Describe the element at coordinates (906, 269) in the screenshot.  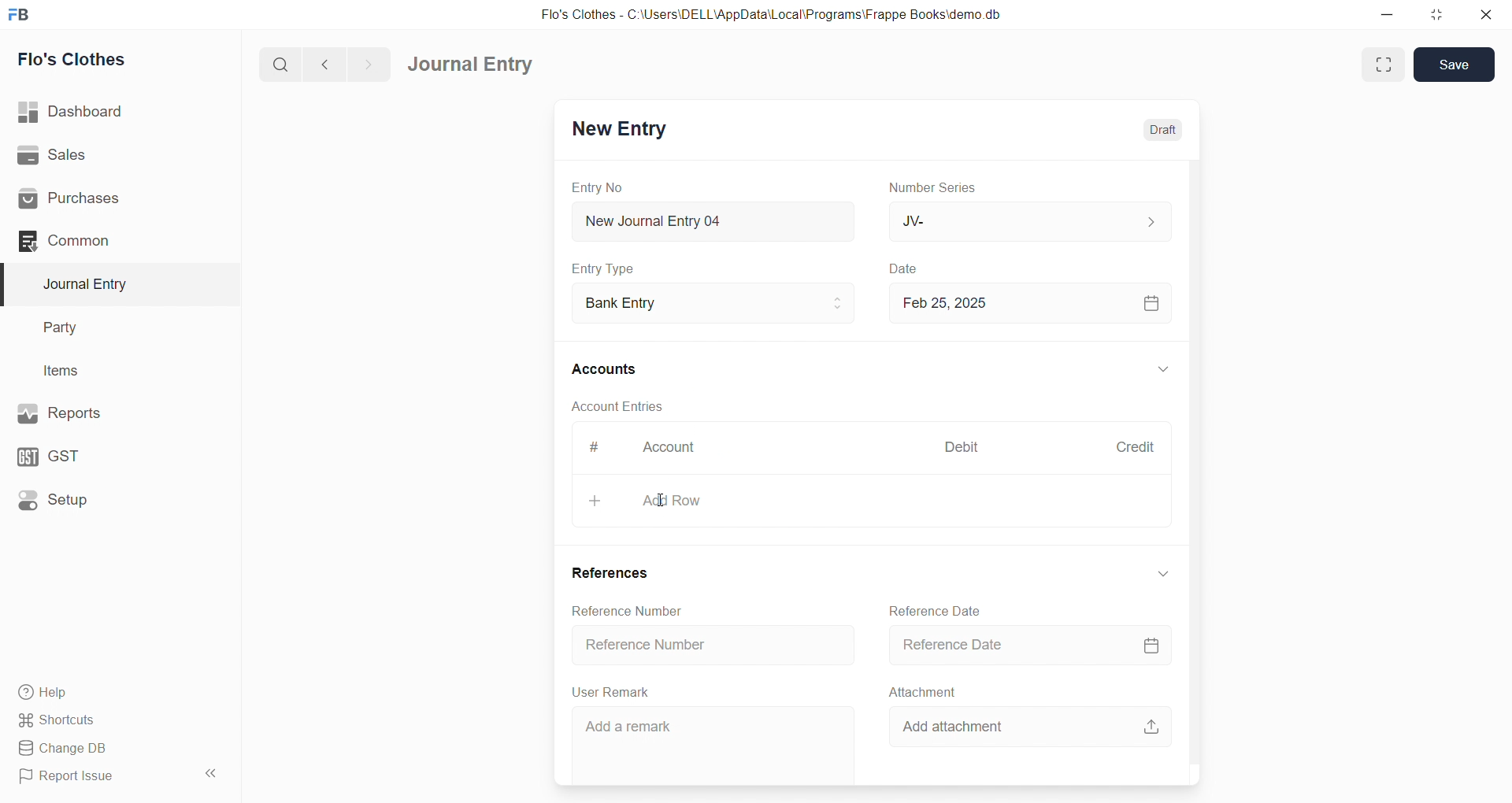
I see `Date` at that location.